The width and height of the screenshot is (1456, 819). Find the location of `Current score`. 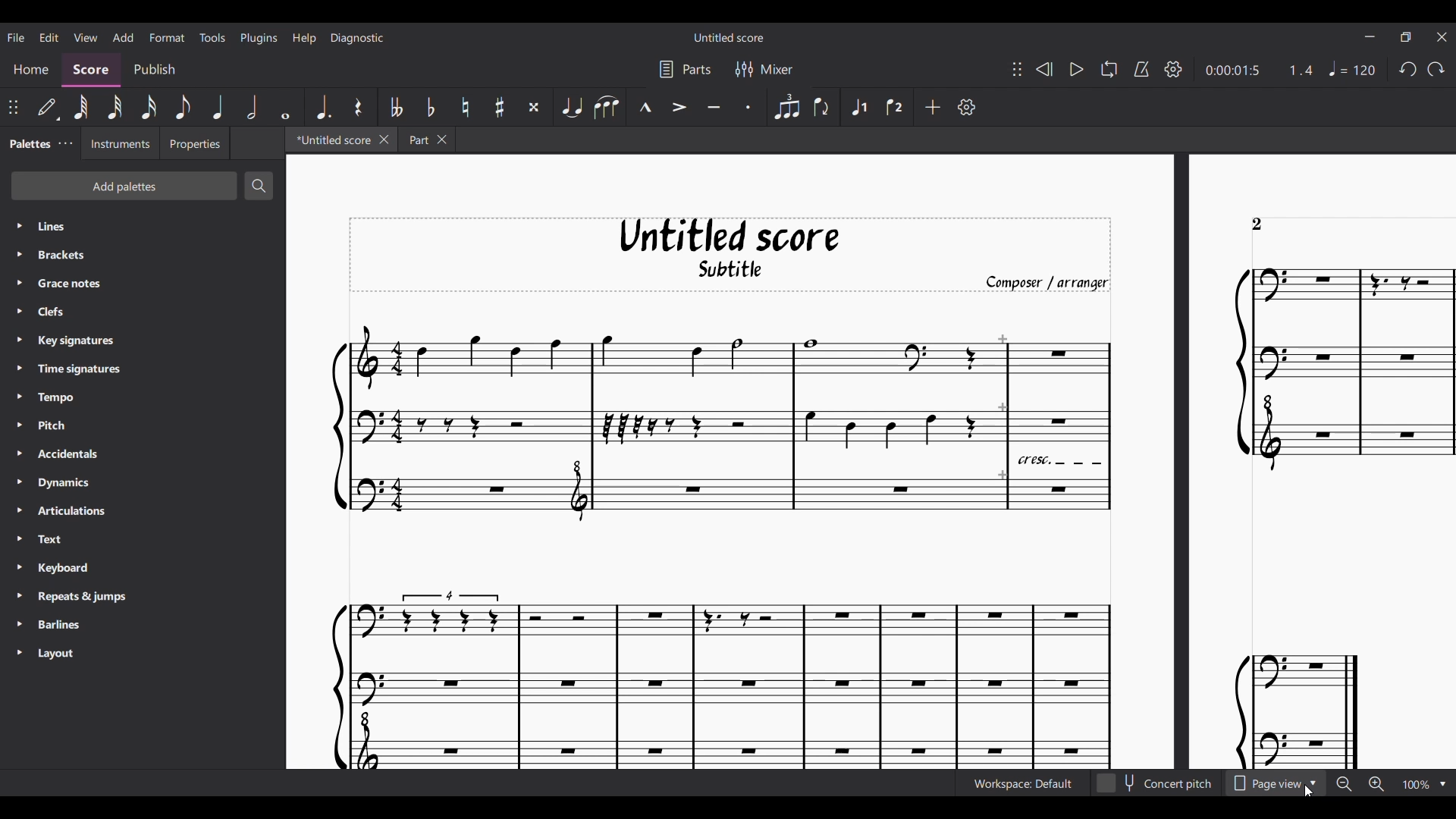

Current score is located at coordinates (892, 532).